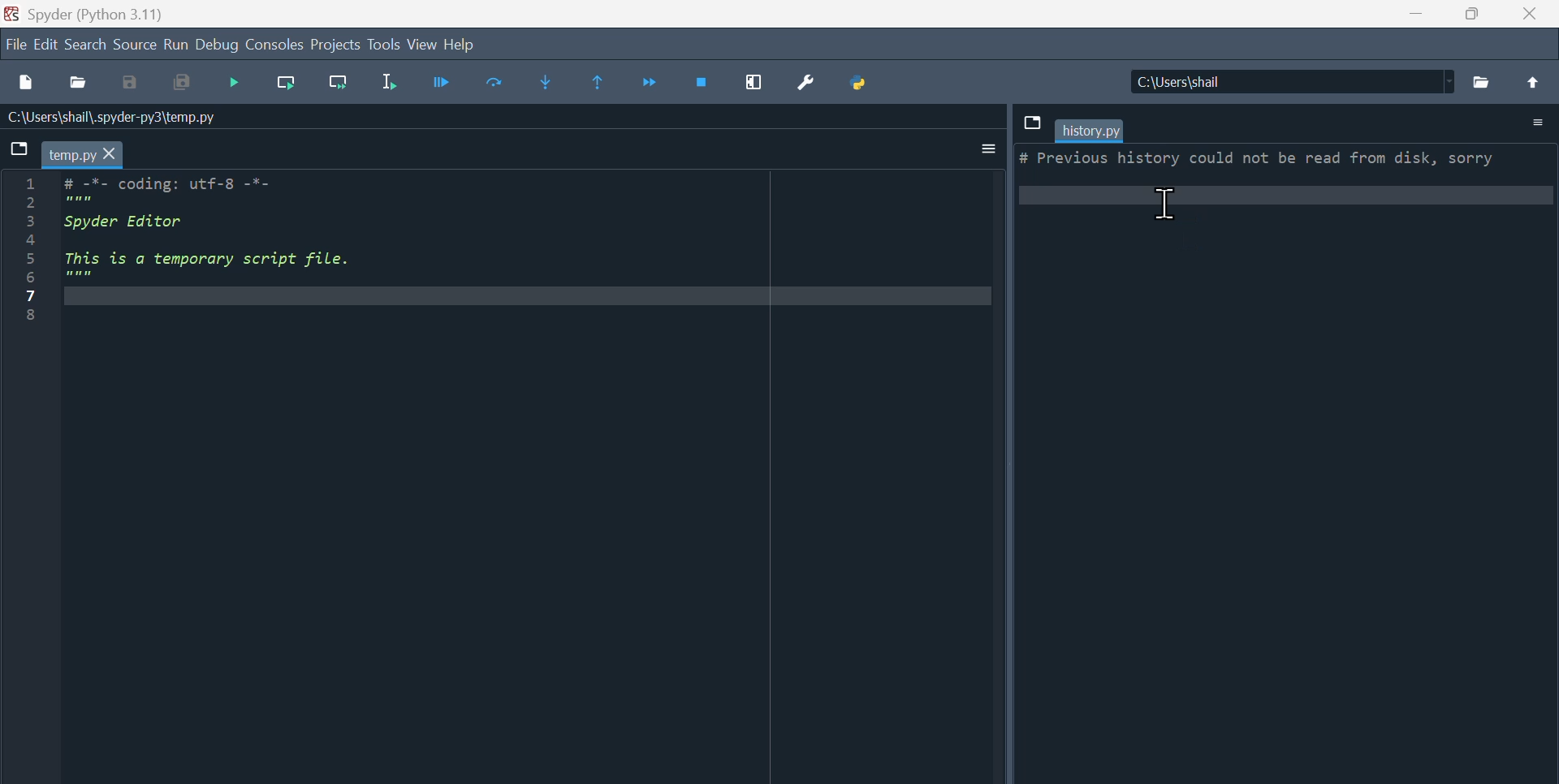 The height and width of the screenshot is (784, 1559). I want to click on view, so click(423, 44).